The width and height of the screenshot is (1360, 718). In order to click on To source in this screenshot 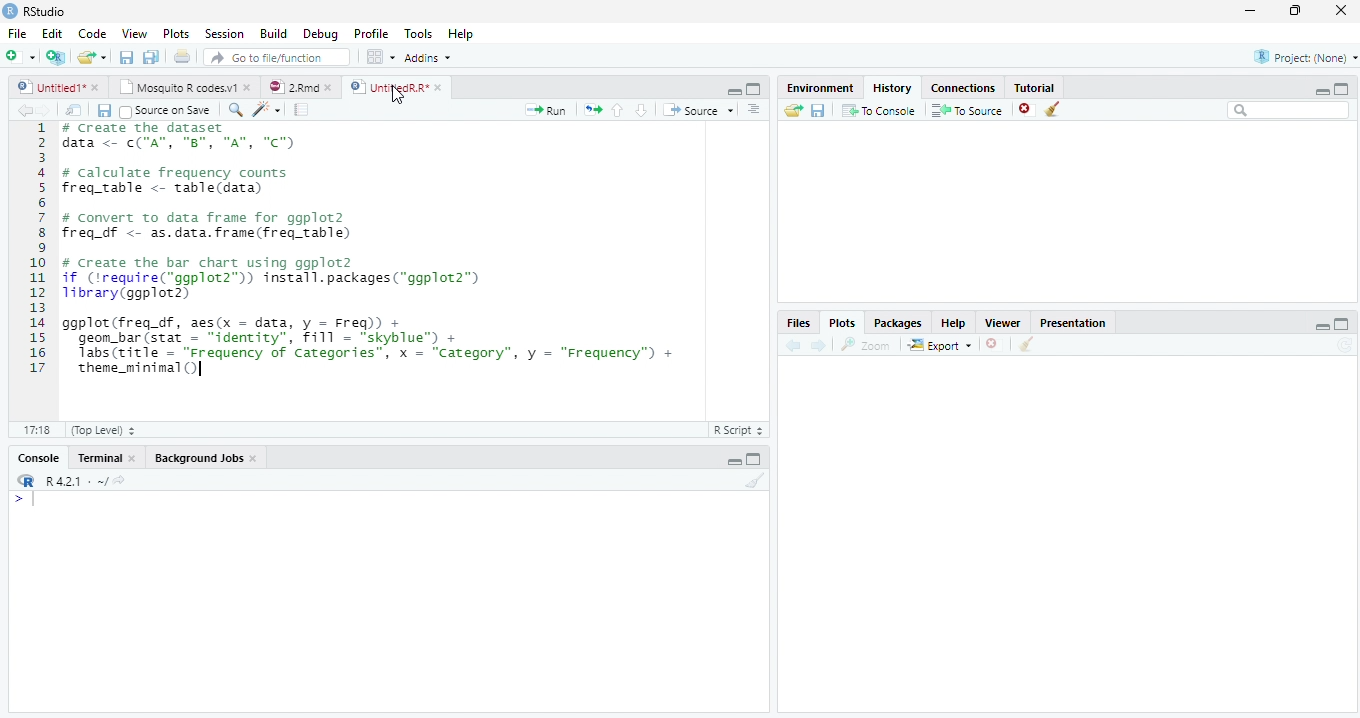, I will do `click(969, 110)`.